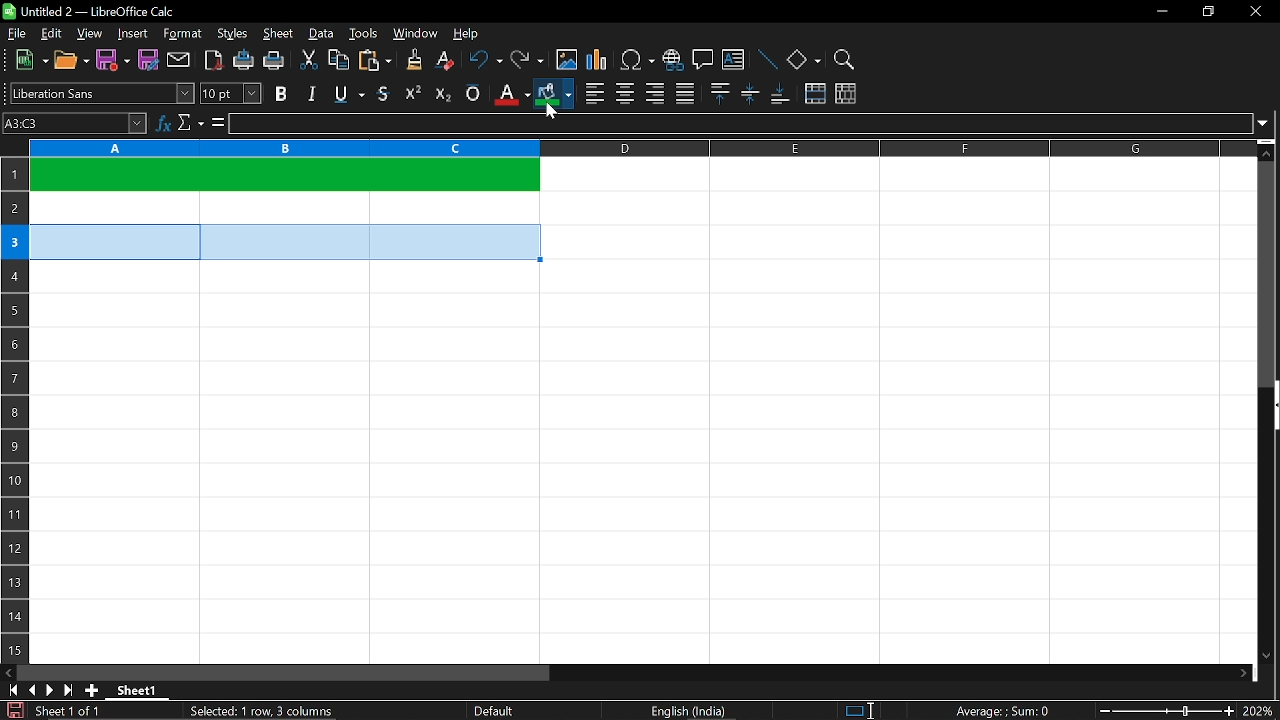  Describe the element at coordinates (374, 61) in the screenshot. I see `paste` at that location.